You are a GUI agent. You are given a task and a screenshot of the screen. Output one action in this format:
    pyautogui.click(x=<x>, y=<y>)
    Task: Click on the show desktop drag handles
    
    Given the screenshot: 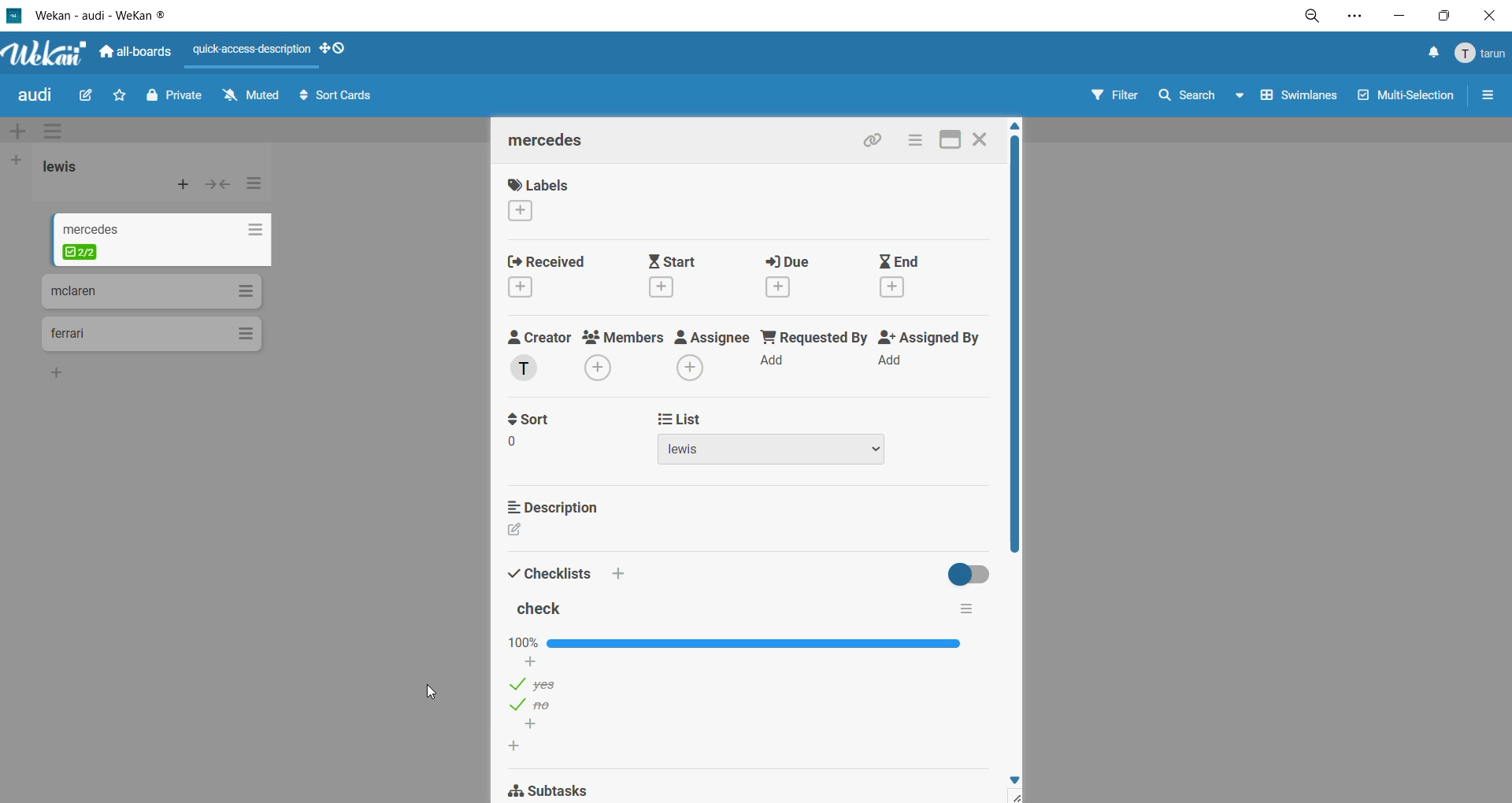 What is the action you would take?
    pyautogui.click(x=339, y=50)
    